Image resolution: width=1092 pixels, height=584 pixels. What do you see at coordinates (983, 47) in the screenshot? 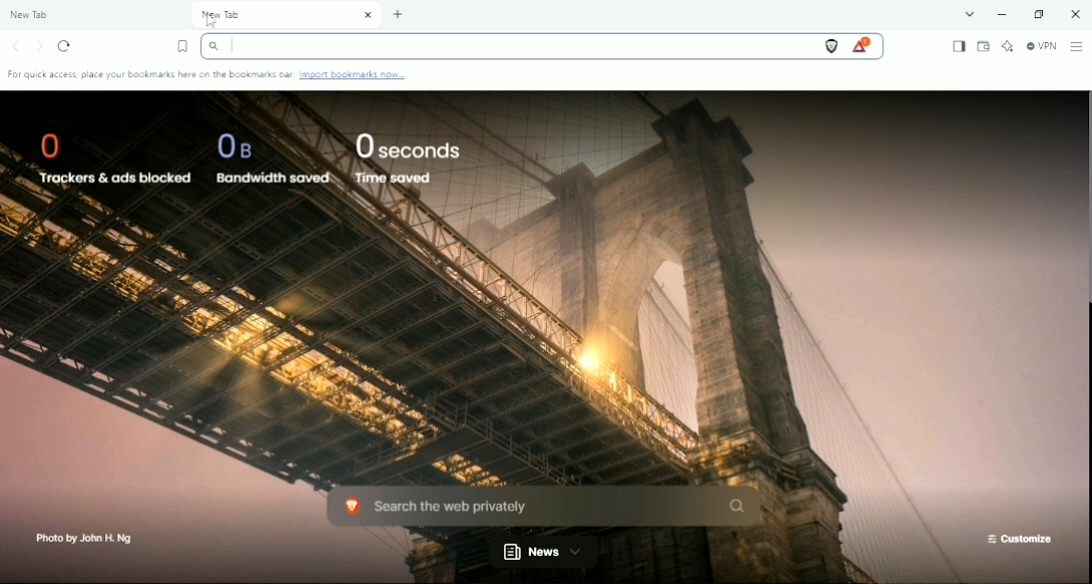
I see `Wallet` at bounding box center [983, 47].